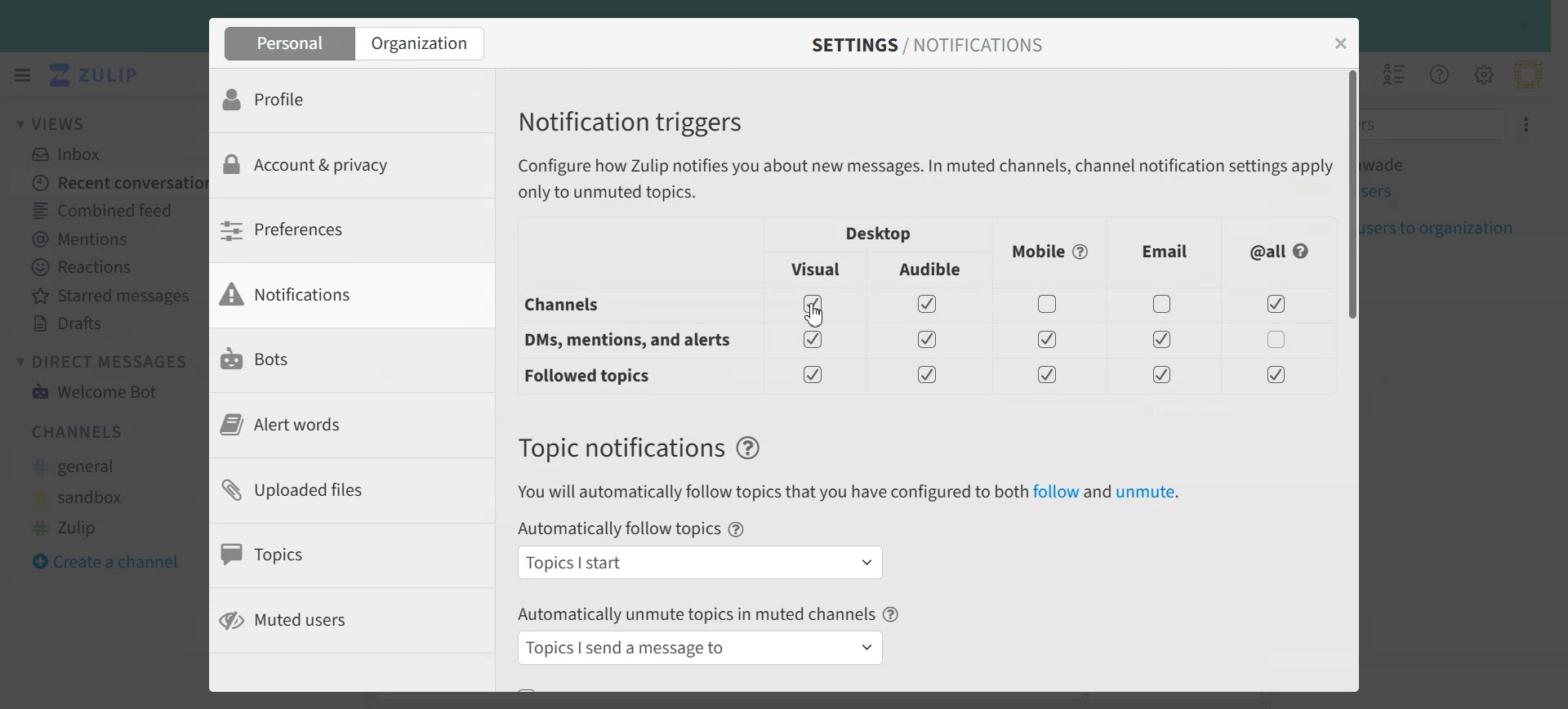 The height and width of the screenshot is (709, 1568). What do you see at coordinates (107, 237) in the screenshot?
I see `Mentions` at bounding box center [107, 237].